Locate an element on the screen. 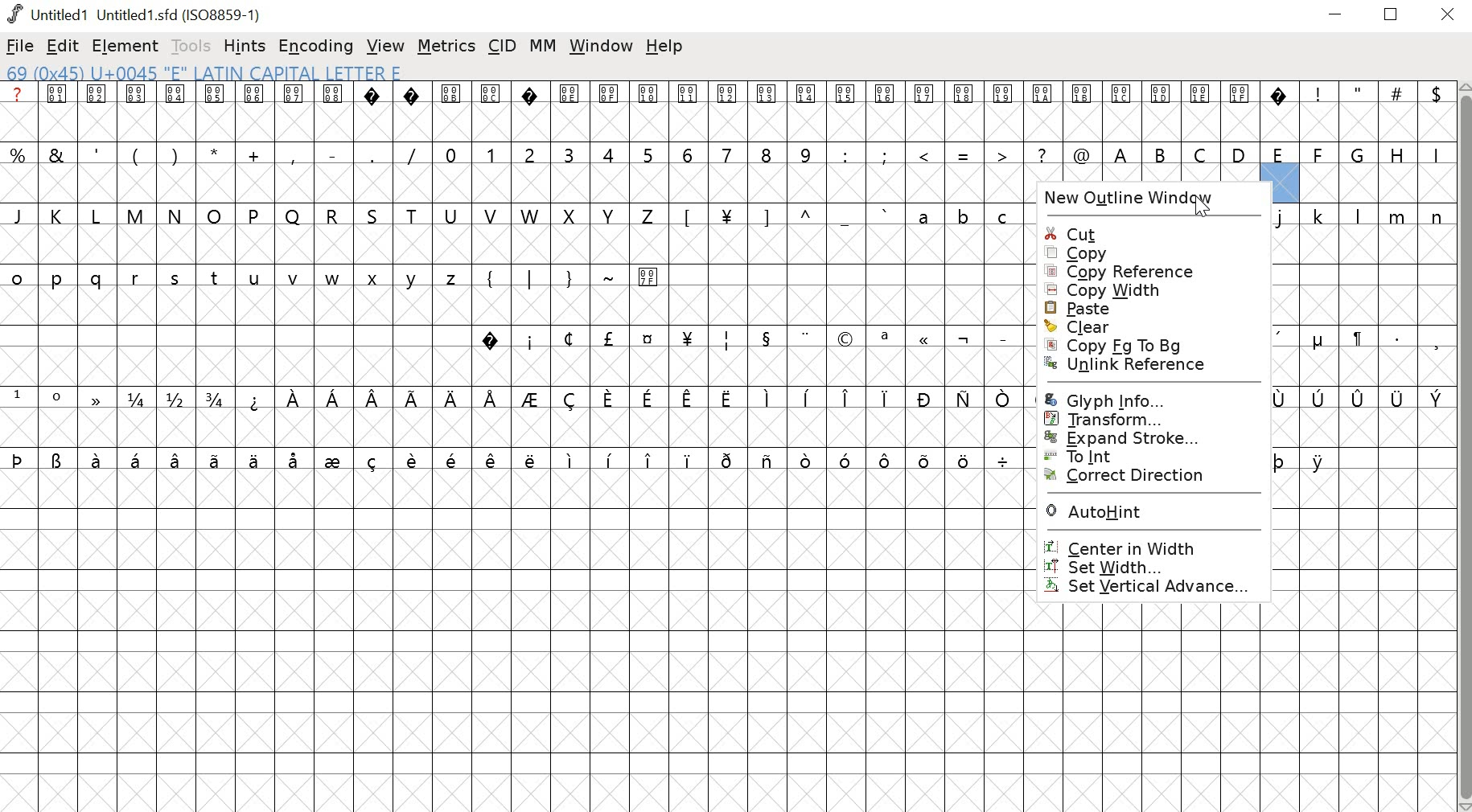  empty cells is located at coordinates (1362, 368).